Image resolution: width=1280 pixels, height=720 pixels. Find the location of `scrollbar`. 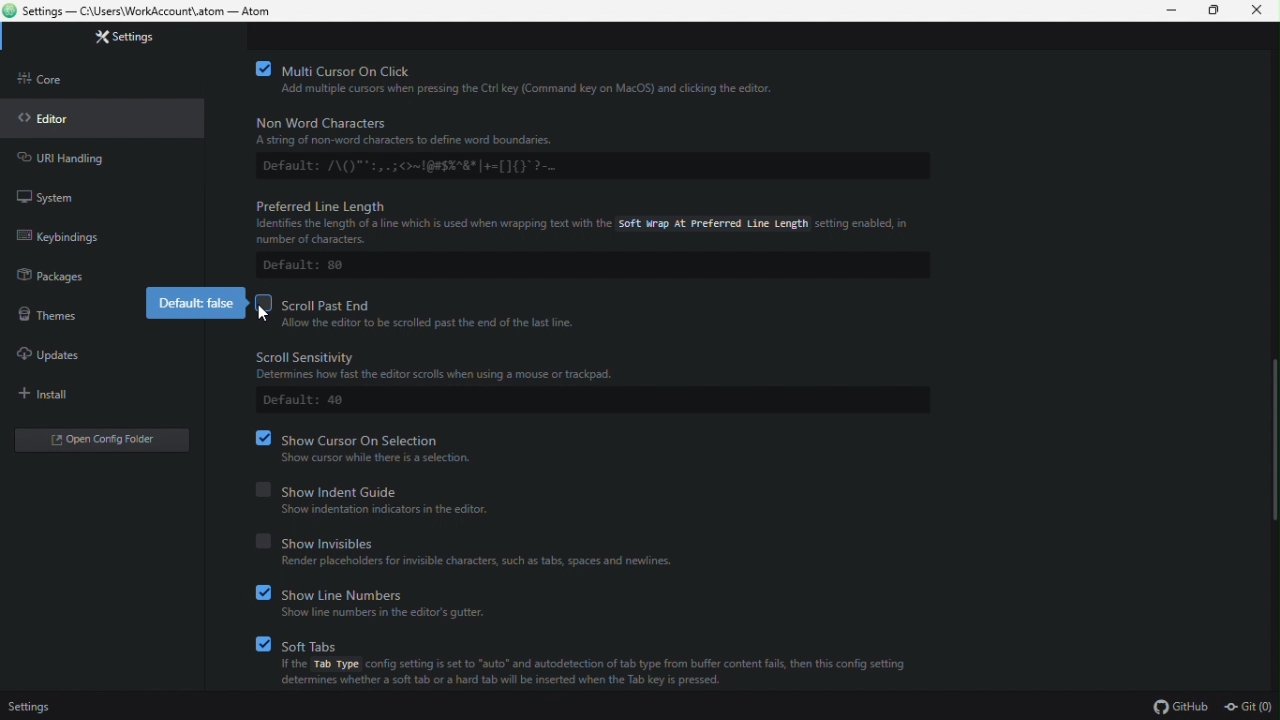

scrollbar is located at coordinates (1269, 440).